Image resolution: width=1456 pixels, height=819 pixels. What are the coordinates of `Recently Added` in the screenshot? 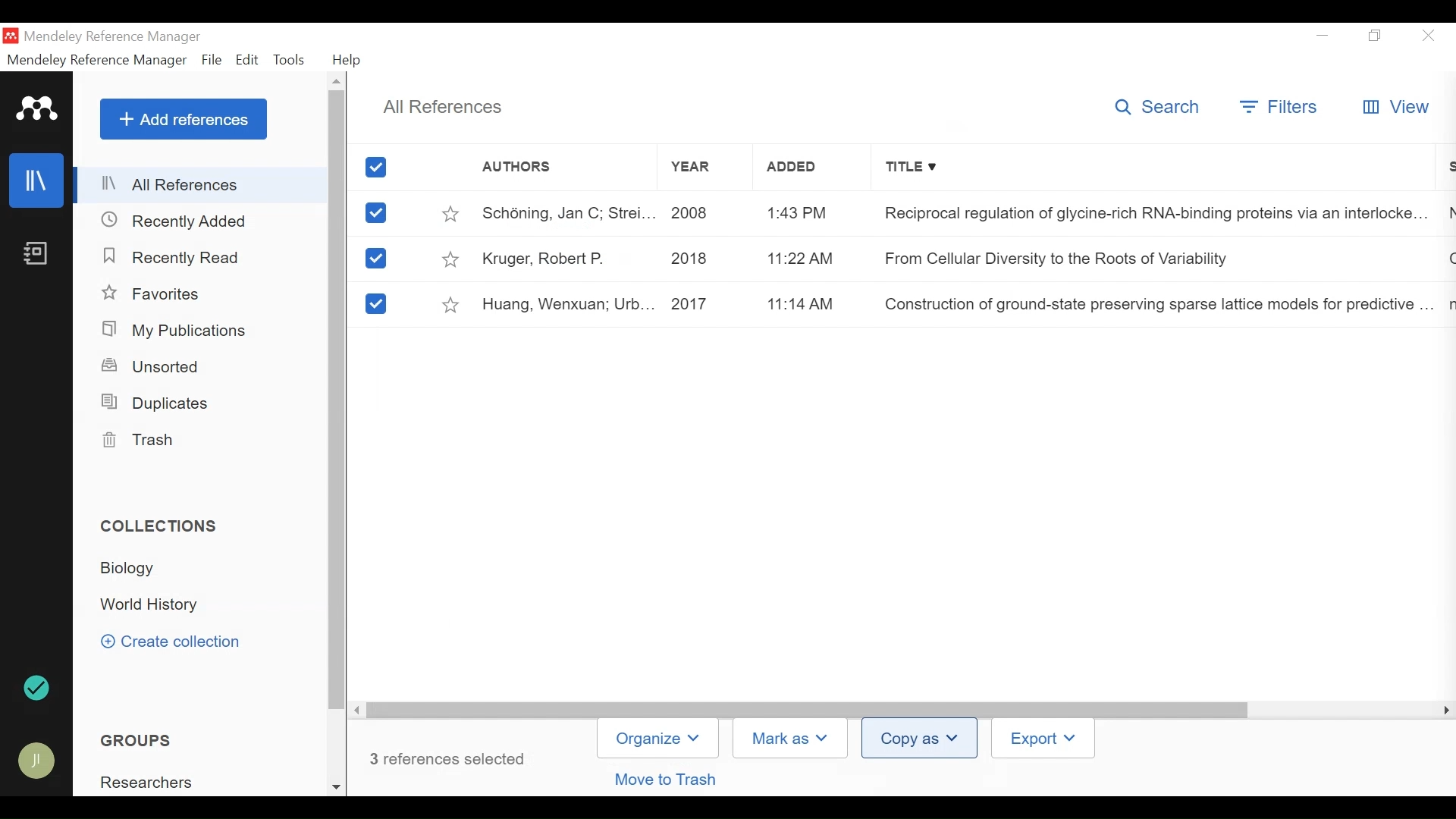 It's located at (174, 221).